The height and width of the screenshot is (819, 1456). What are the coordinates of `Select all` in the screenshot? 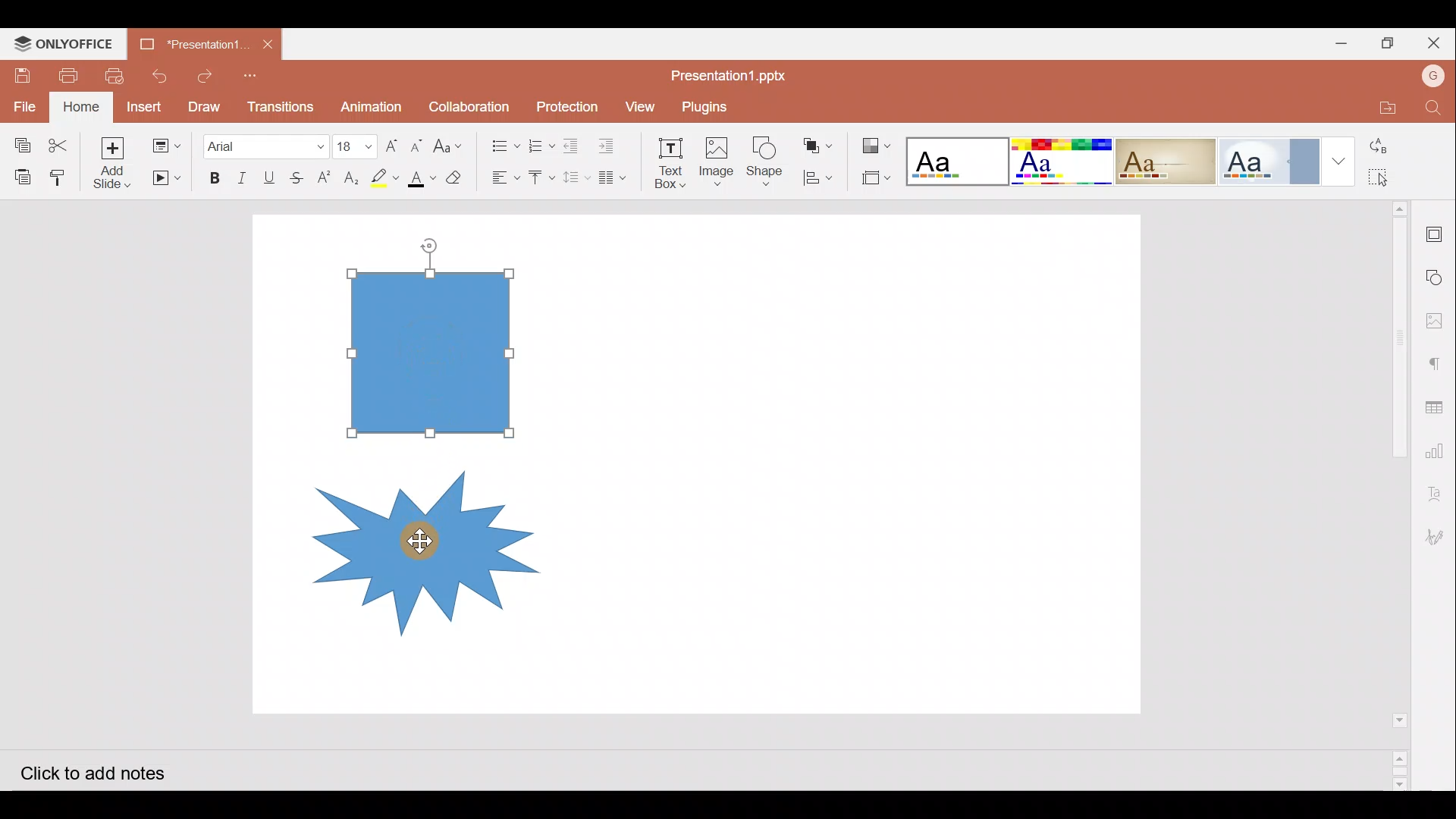 It's located at (1389, 180).